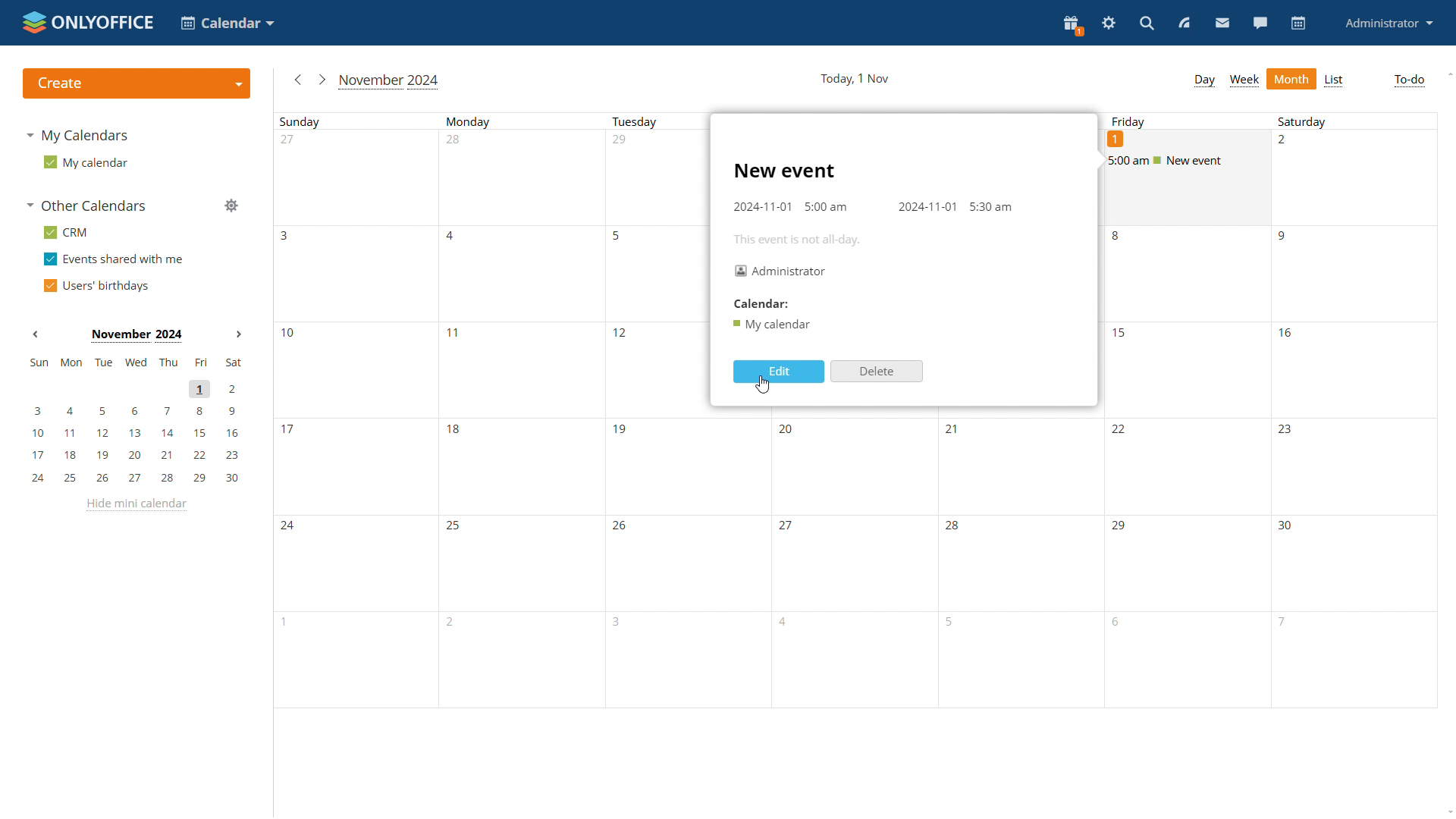 The image size is (1456, 819). Describe the element at coordinates (785, 171) in the screenshot. I see `event title` at that location.